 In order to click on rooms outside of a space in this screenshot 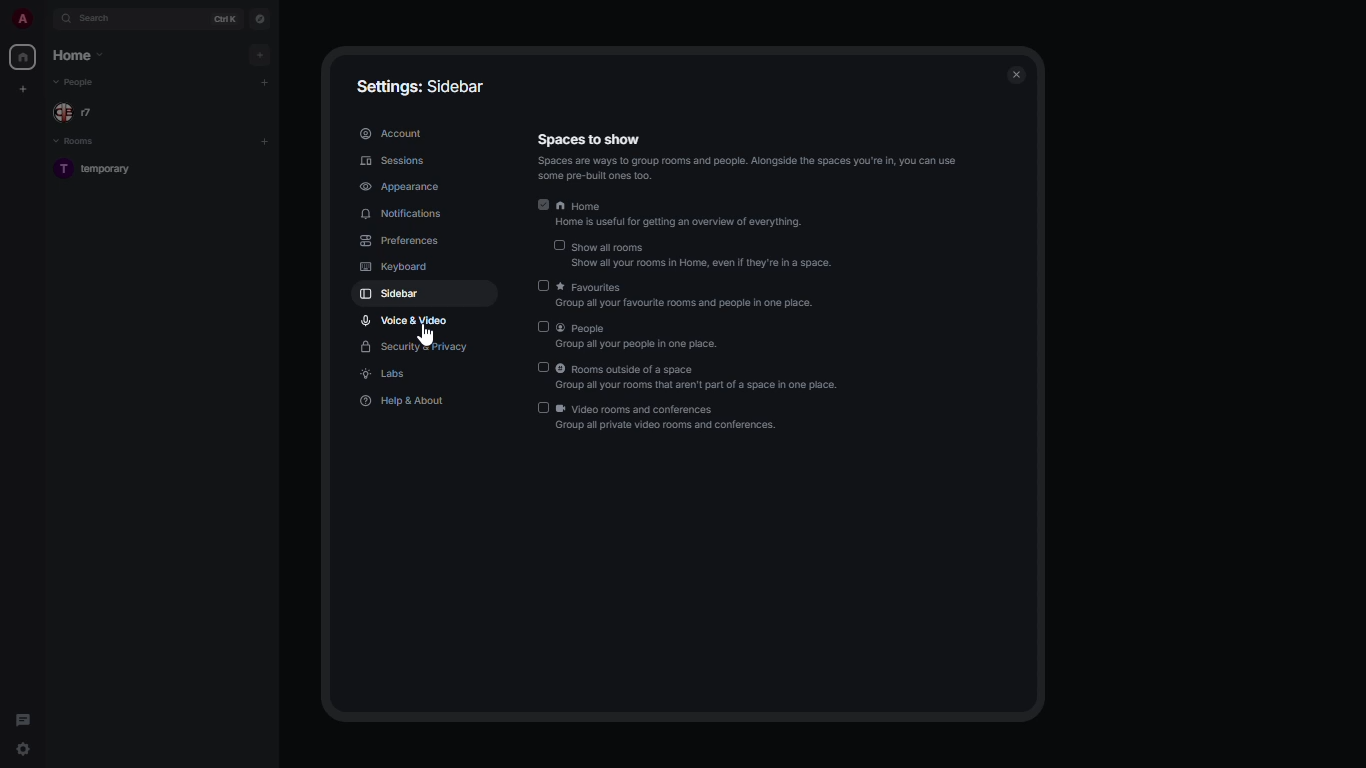, I will do `click(700, 379)`.